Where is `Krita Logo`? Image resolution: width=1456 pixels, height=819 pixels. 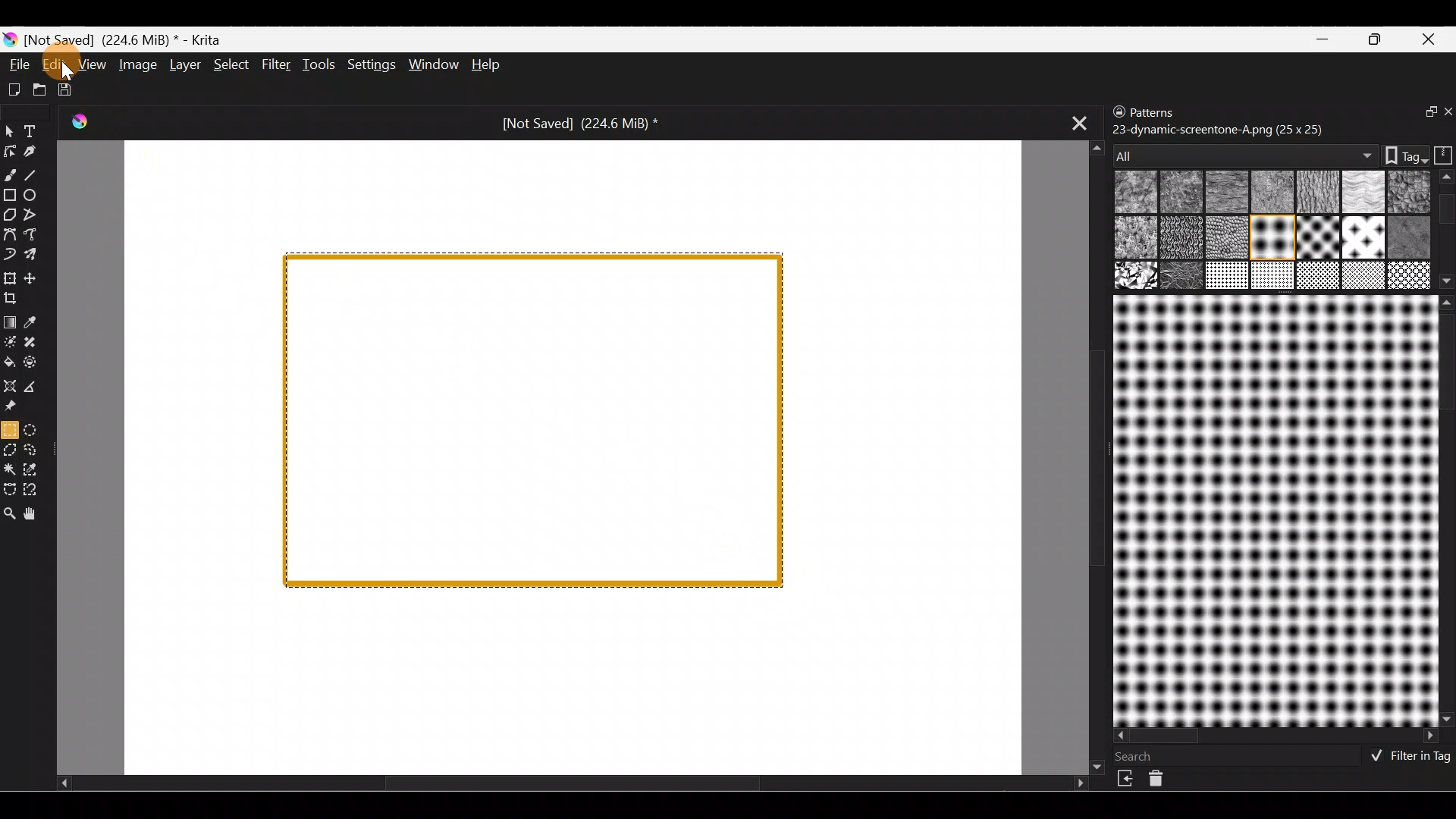
Krita Logo is located at coordinates (87, 123).